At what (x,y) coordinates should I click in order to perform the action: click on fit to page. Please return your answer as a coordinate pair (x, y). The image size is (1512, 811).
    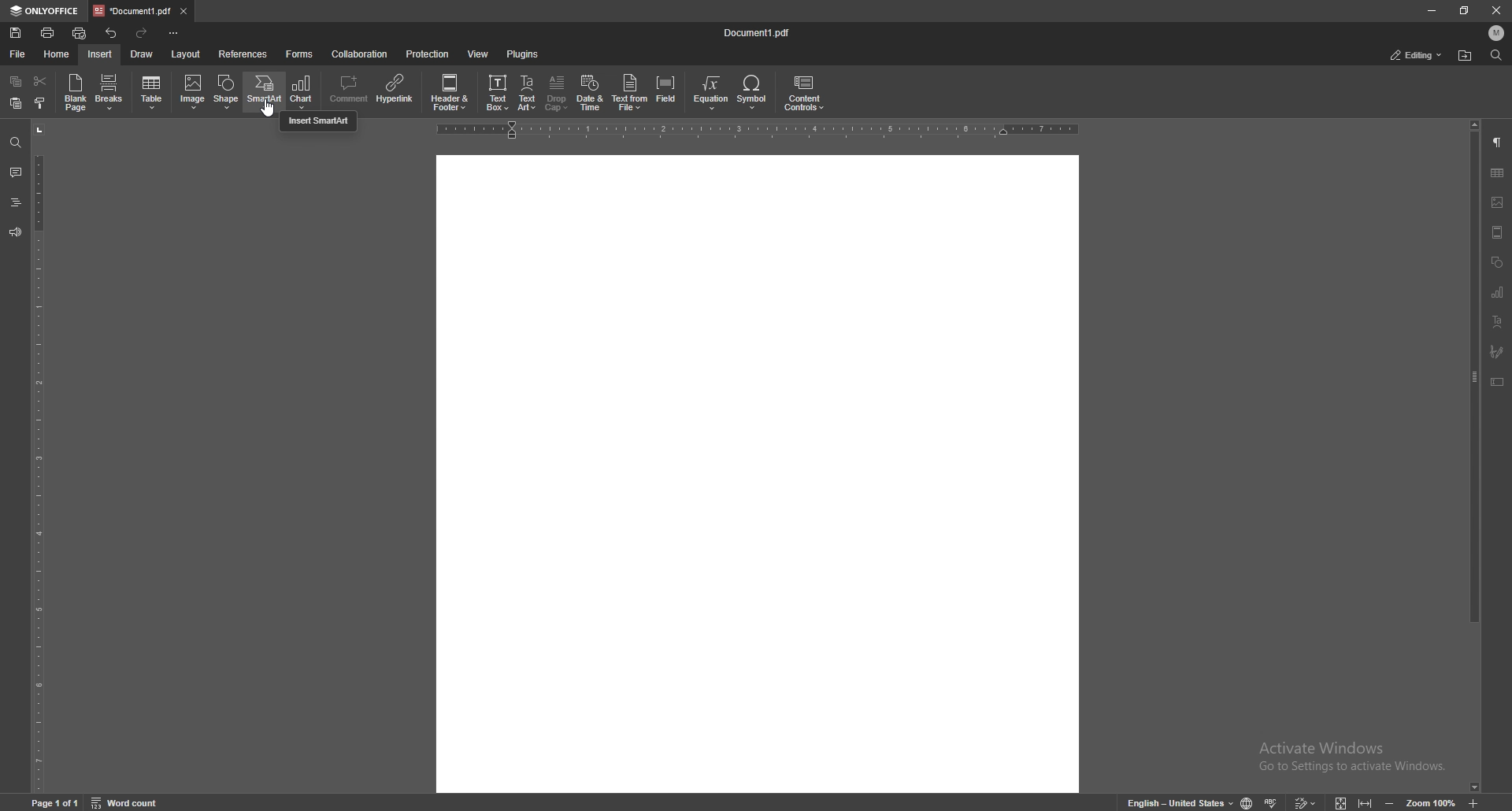
    Looking at the image, I should click on (1341, 801).